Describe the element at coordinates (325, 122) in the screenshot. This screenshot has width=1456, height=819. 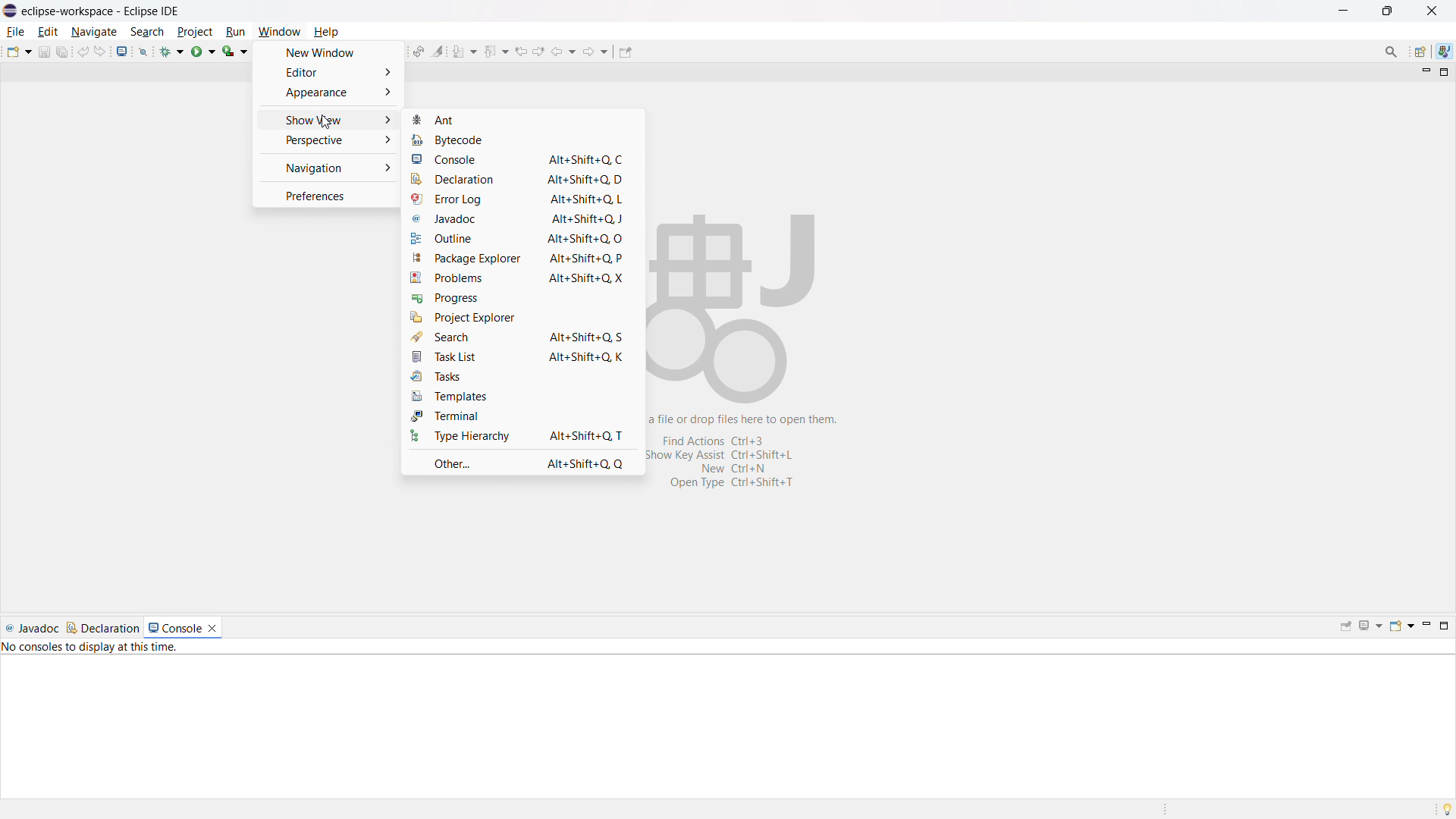
I see `cursor` at that location.